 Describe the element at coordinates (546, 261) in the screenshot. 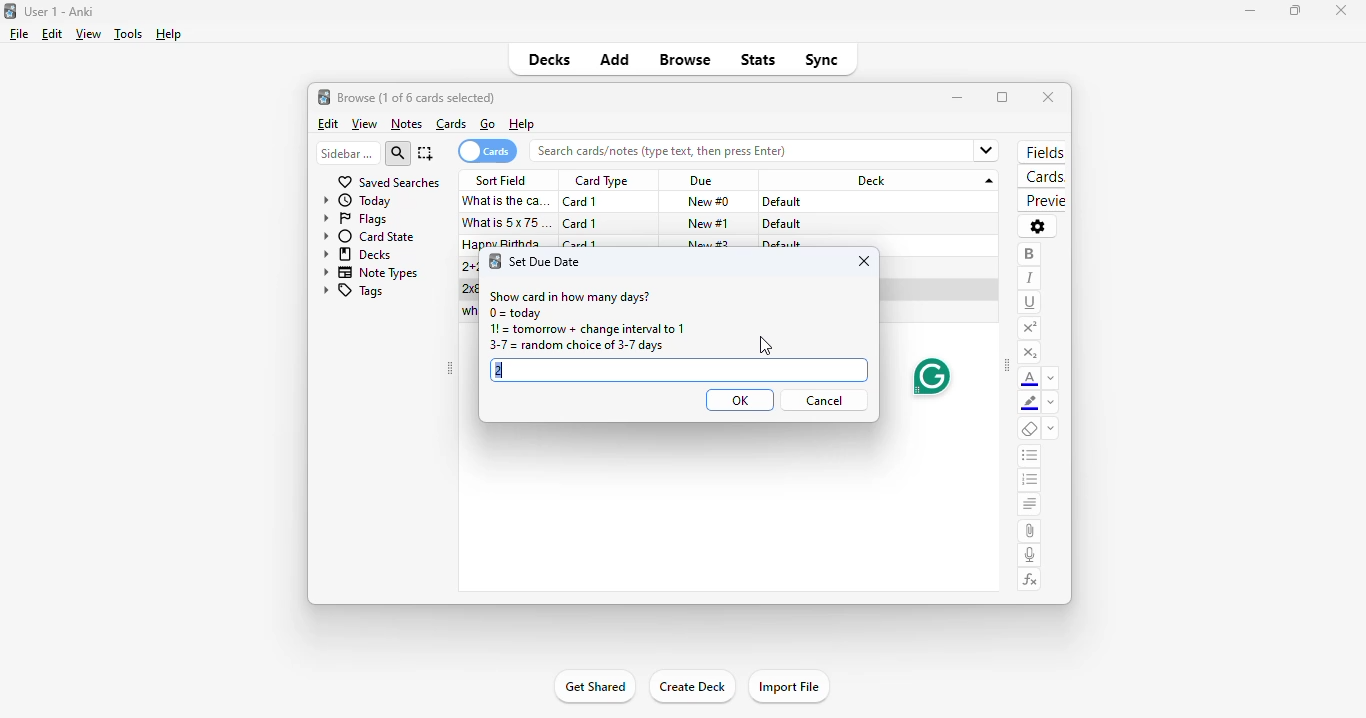

I see `set due date` at that location.